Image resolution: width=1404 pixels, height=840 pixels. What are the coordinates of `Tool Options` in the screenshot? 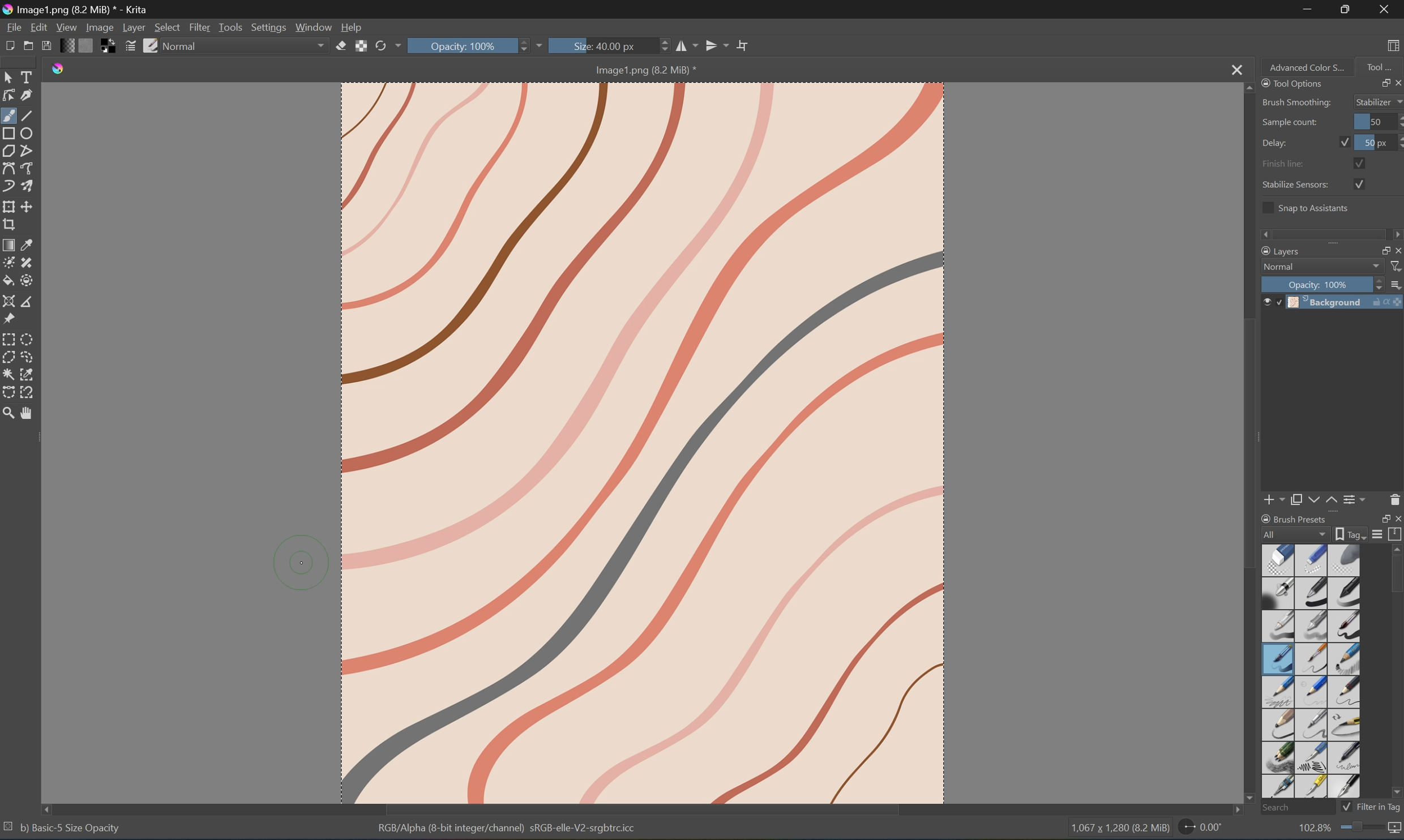 It's located at (1290, 82).